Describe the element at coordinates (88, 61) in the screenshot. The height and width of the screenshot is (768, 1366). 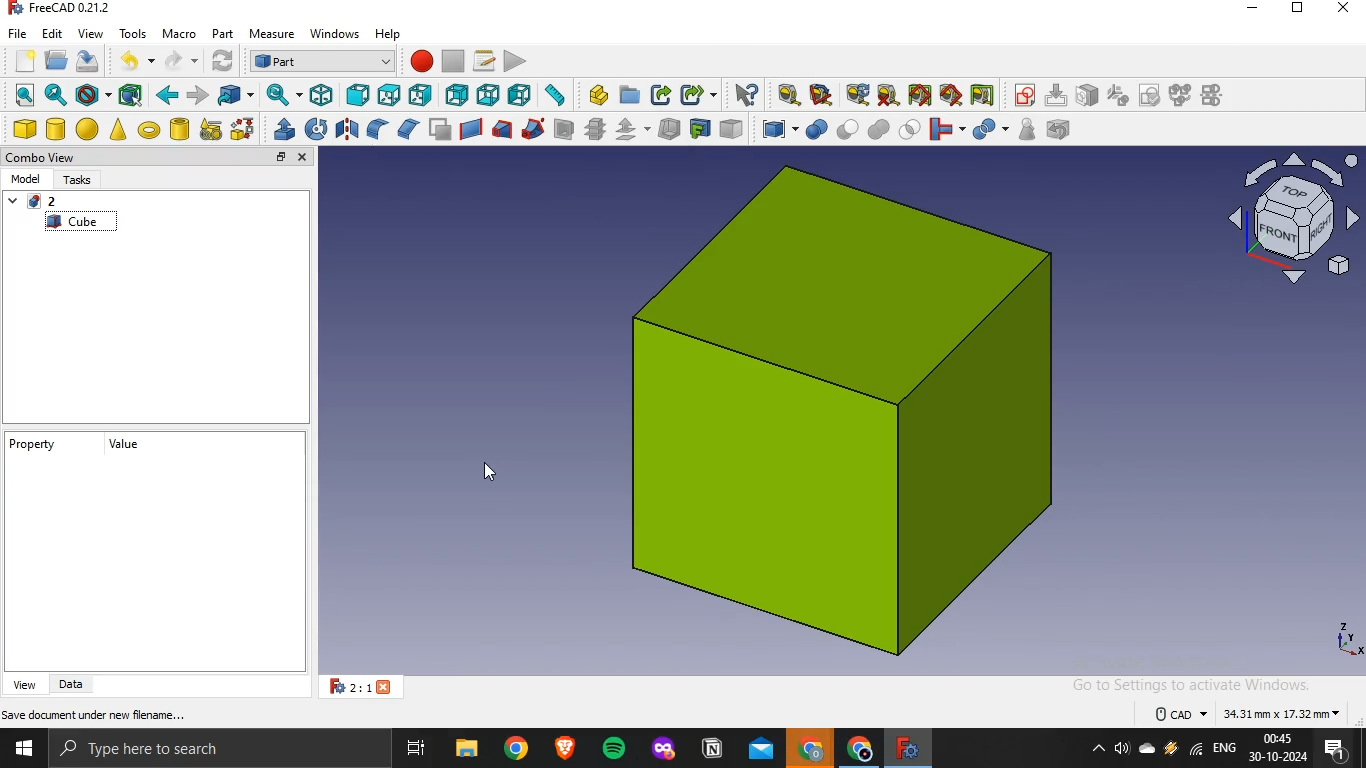
I see `save` at that location.